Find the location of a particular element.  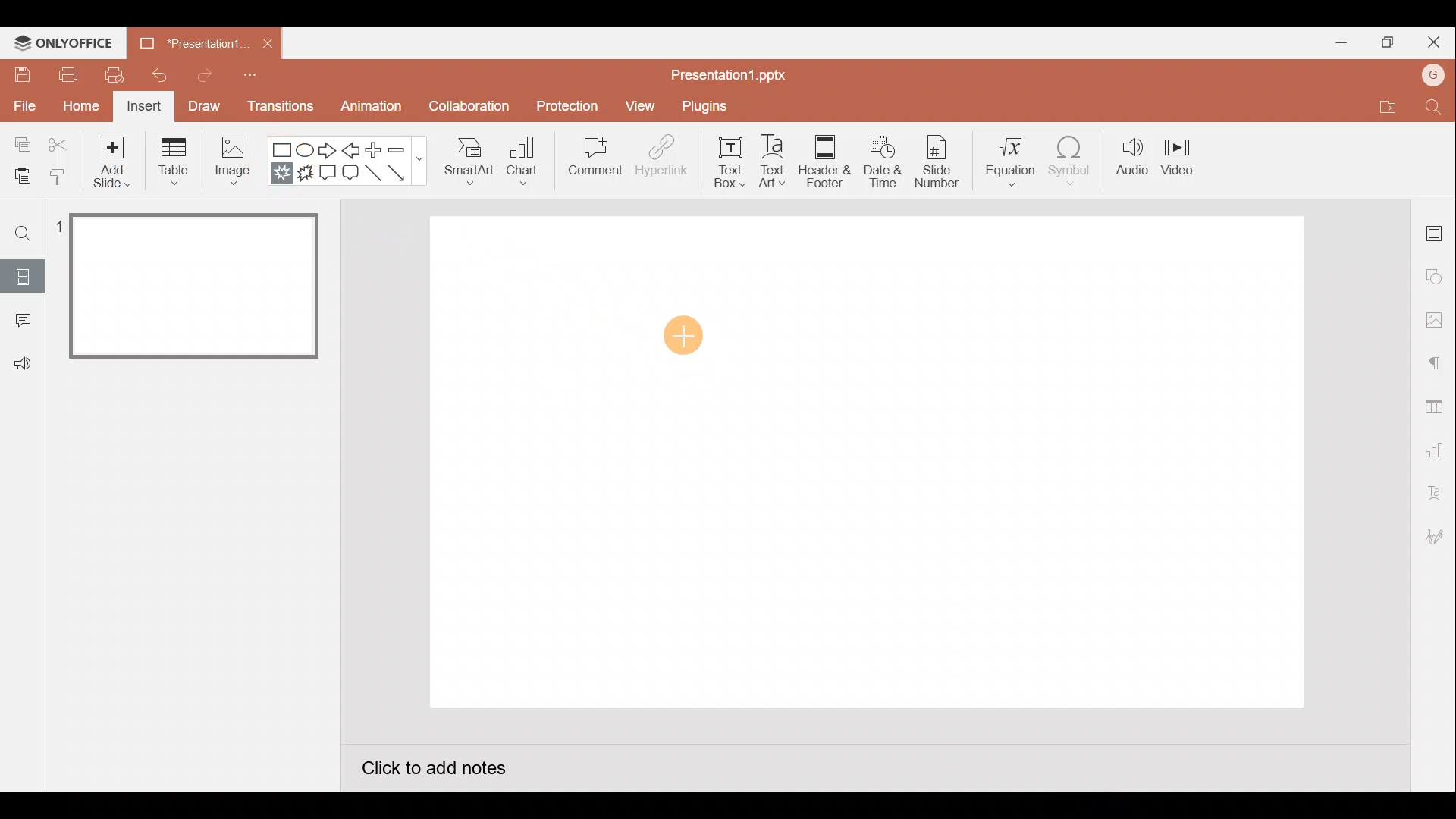

Arrow is located at coordinates (401, 174).